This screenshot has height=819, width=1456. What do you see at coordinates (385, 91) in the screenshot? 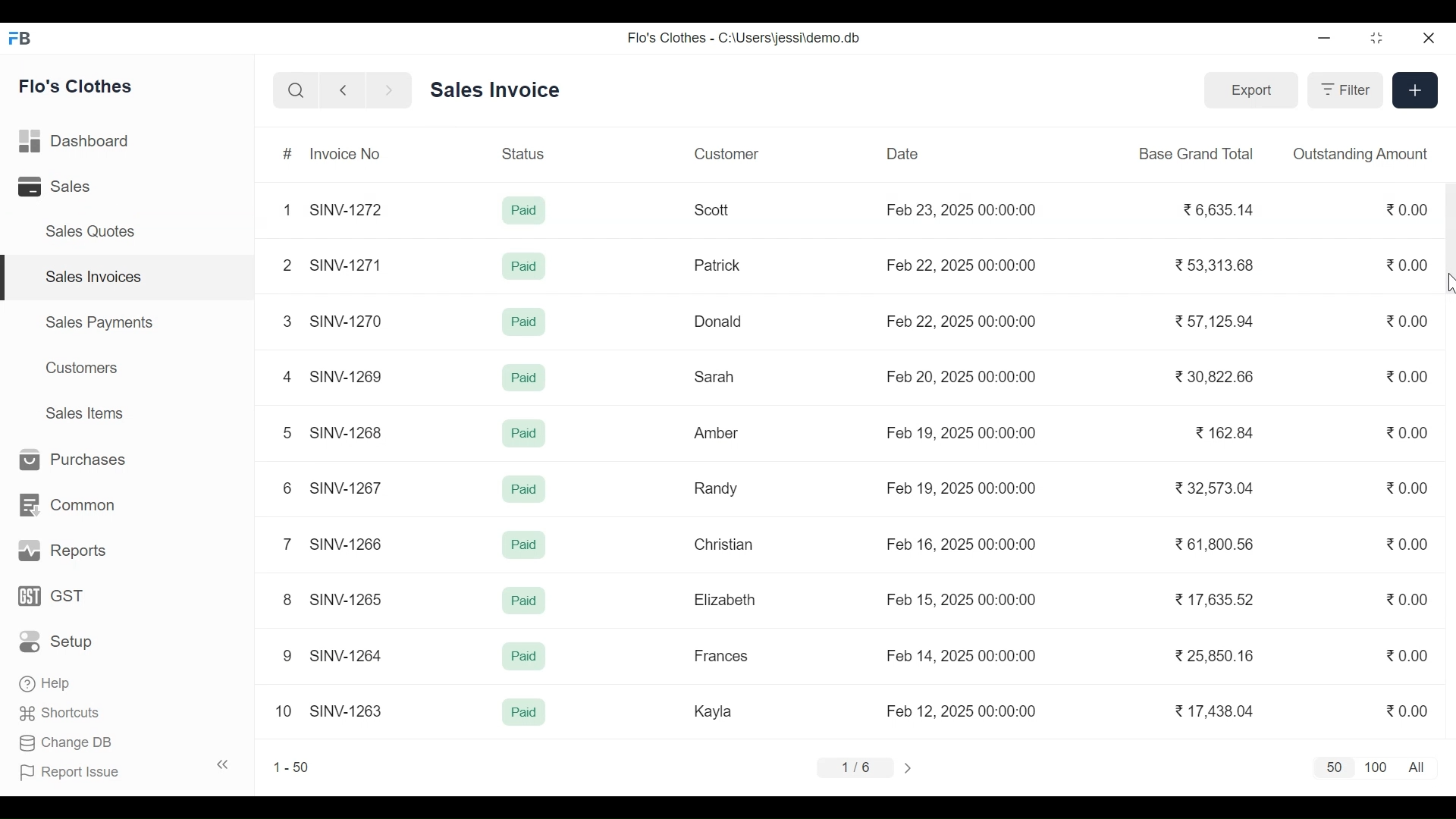
I see `Go Forward` at bounding box center [385, 91].